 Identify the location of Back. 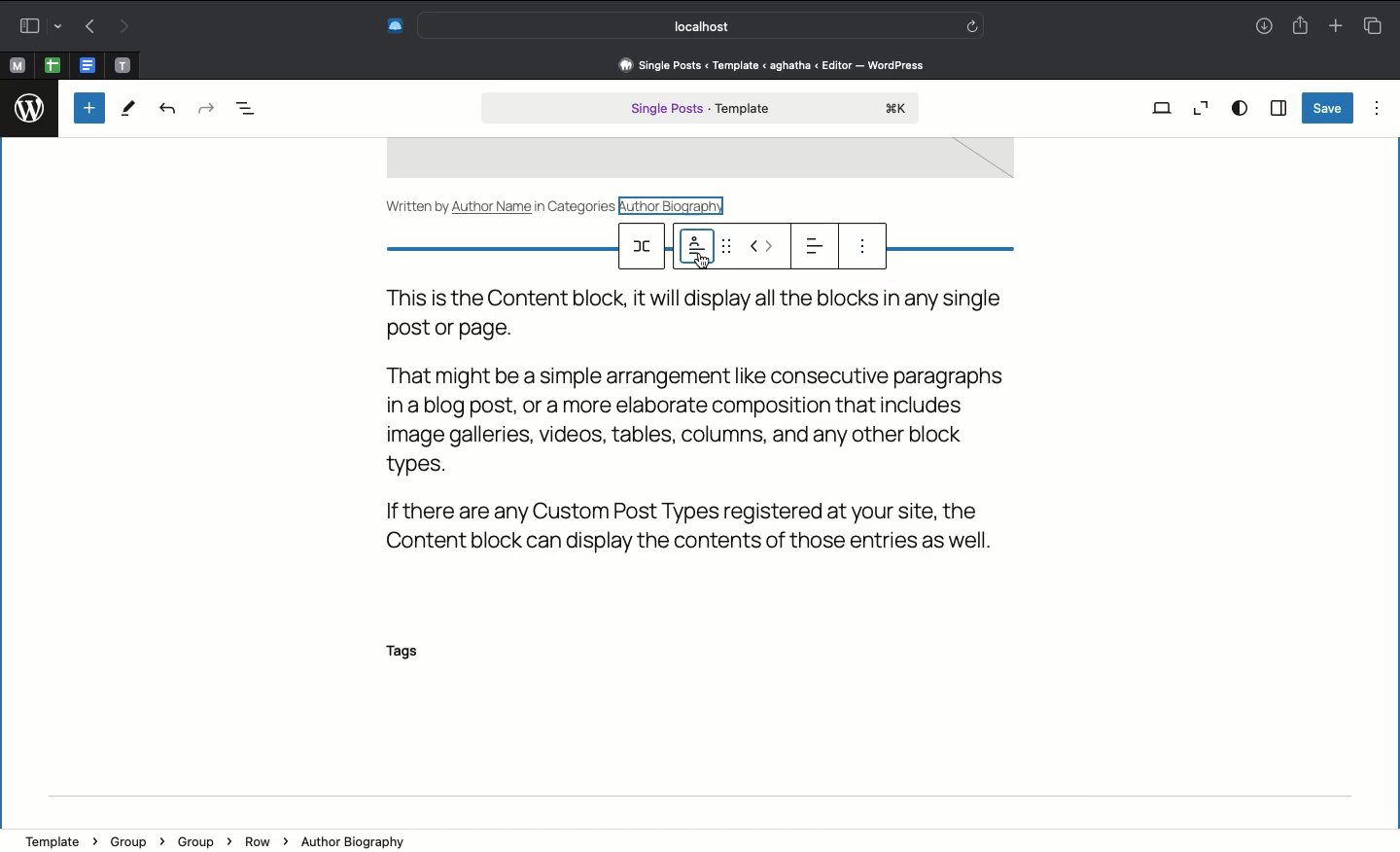
(89, 27).